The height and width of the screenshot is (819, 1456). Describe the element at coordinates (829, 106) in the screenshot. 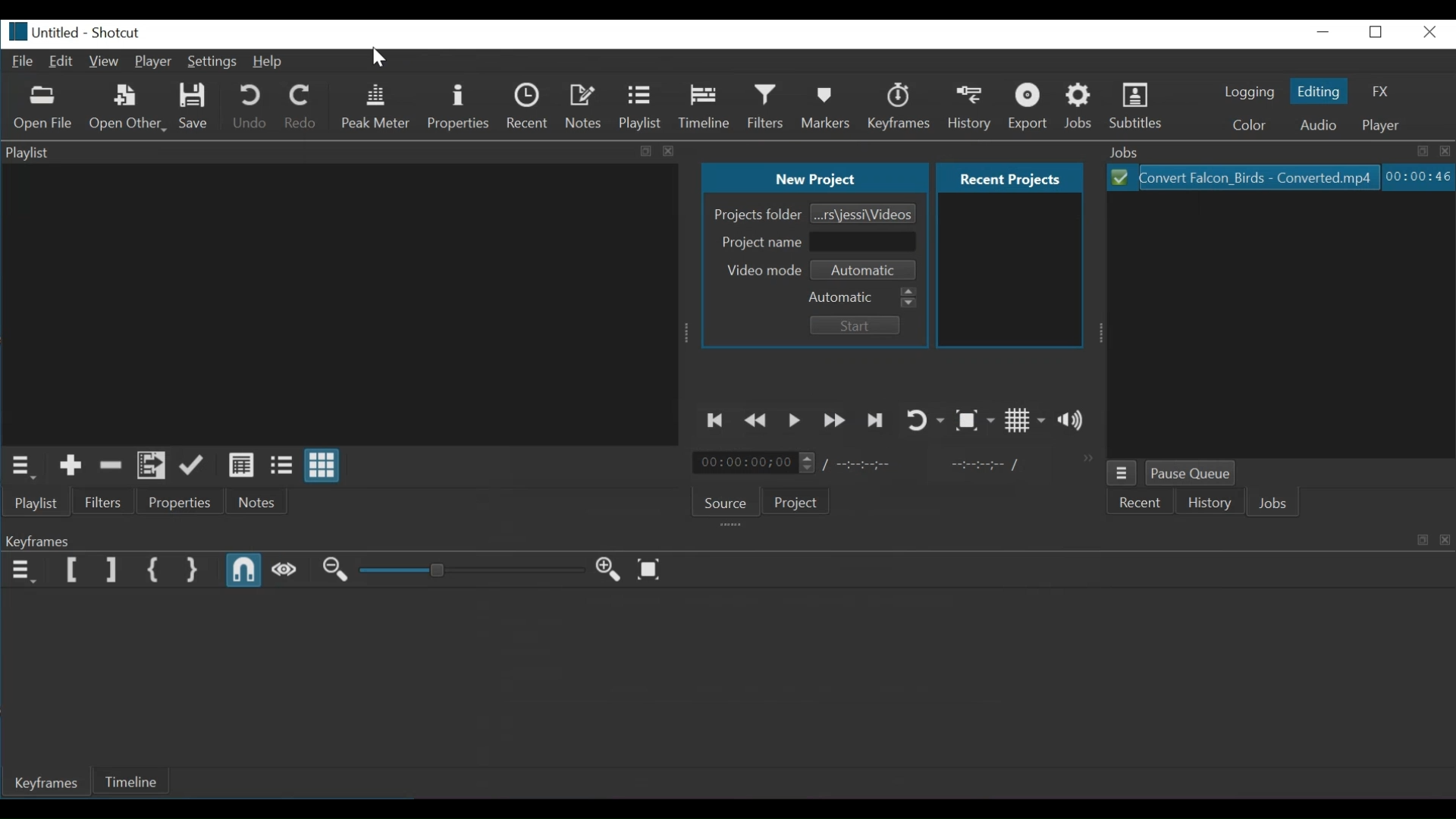

I see `Markers` at that location.